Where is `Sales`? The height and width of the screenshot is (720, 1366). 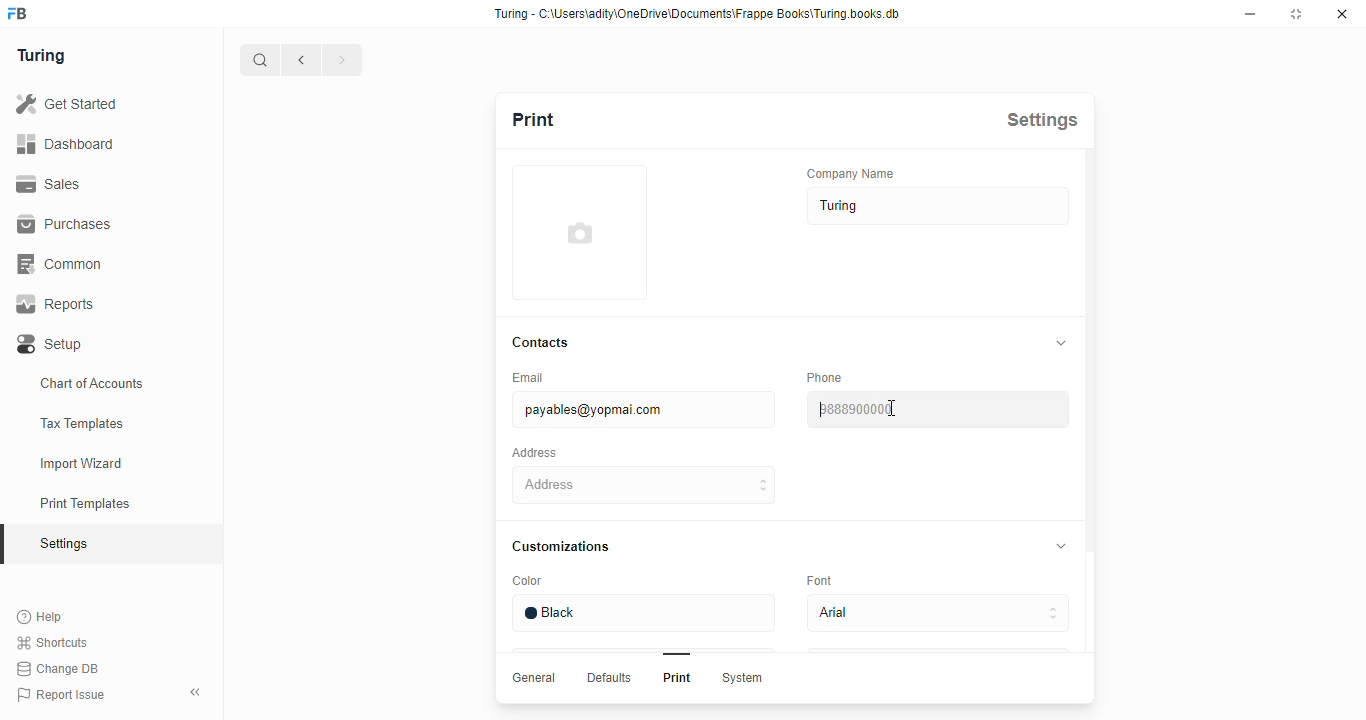
Sales is located at coordinates (98, 182).